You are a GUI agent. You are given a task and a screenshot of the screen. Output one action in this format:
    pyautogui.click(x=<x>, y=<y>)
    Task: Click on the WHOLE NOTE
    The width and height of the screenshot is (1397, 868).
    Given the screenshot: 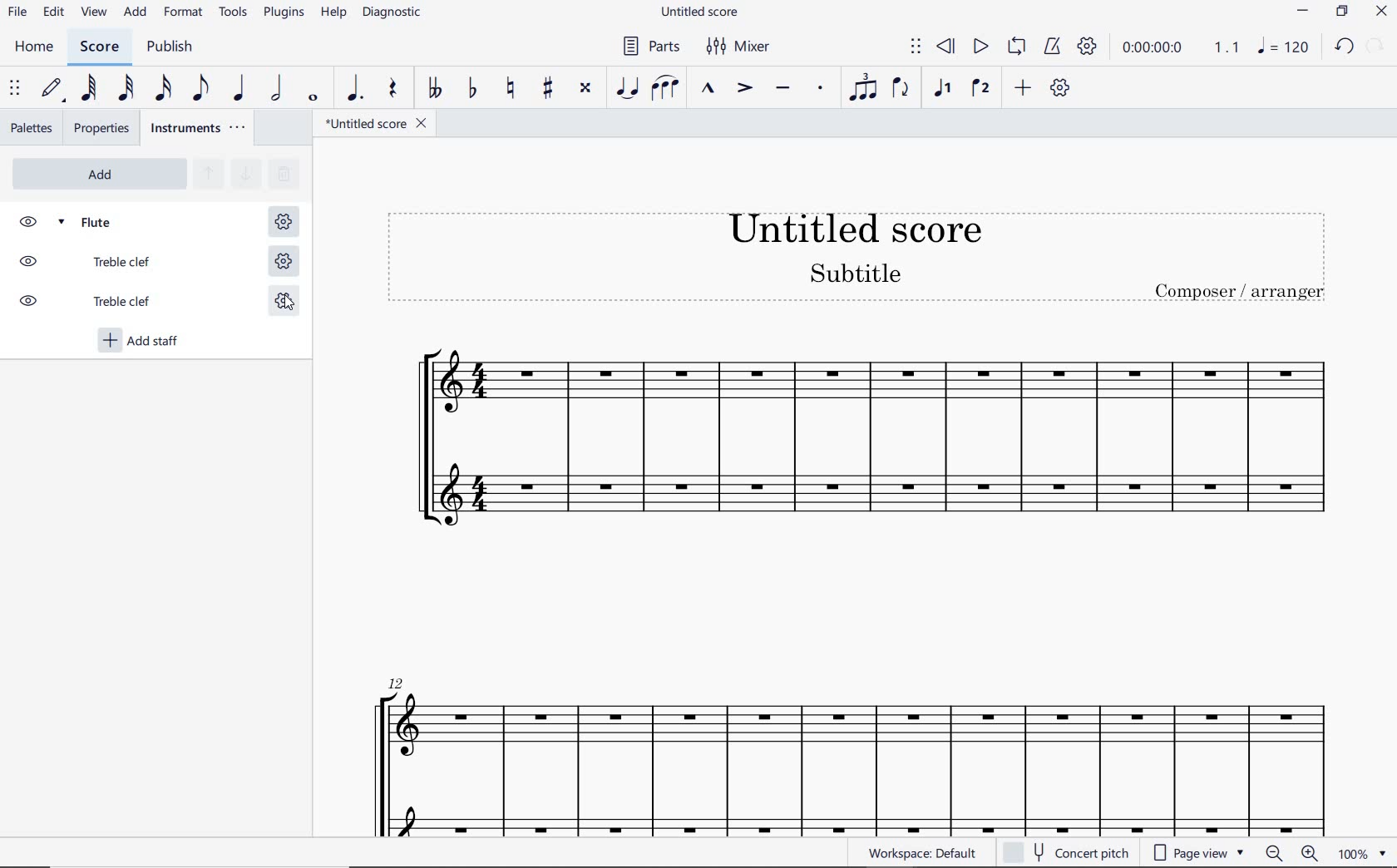 What is the action you would take?
    pyautogui.click(x=314, y=100)
    